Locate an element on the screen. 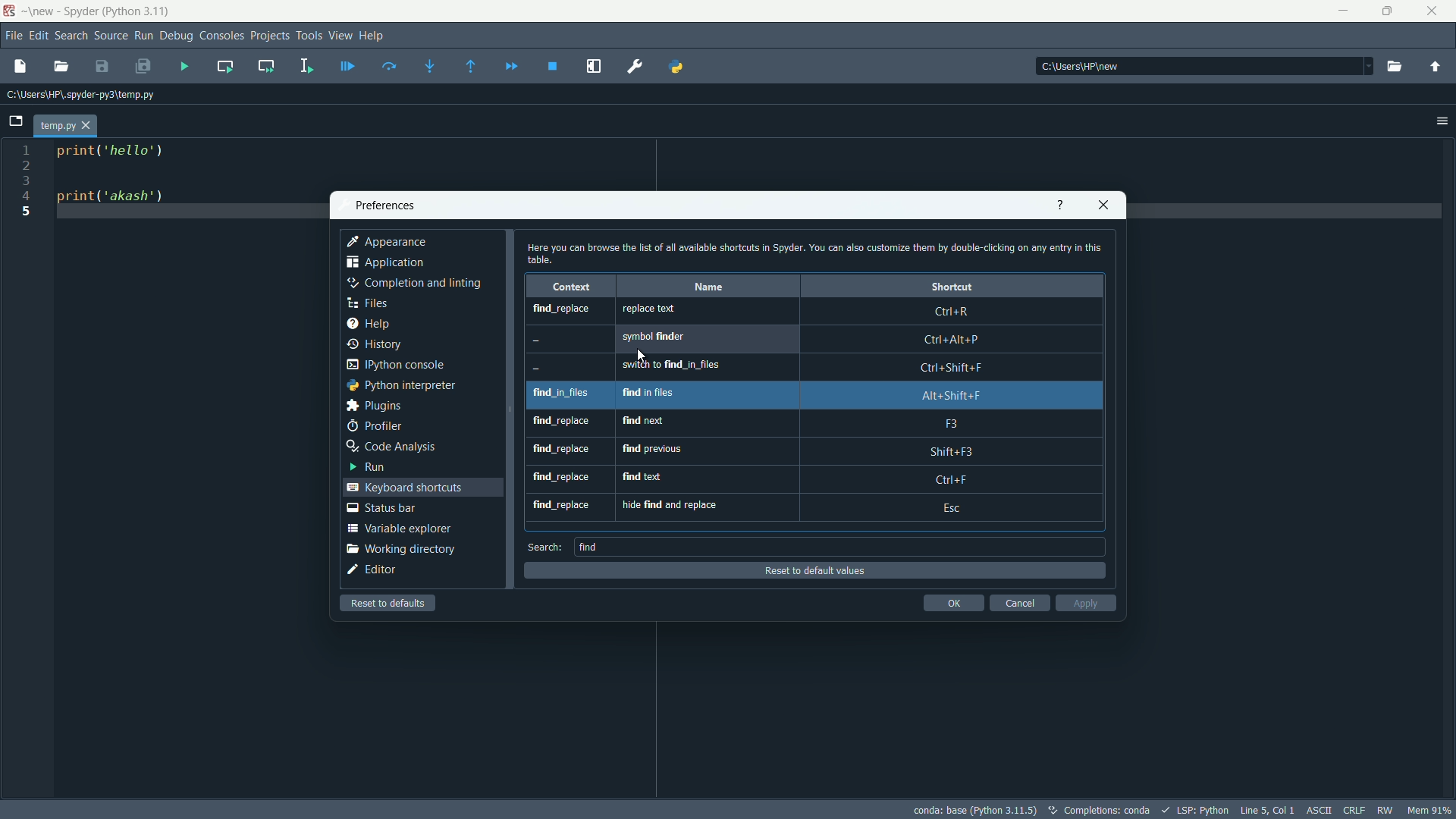 This screenshot has height=819, width=1456. cursor is located at coordinates (646, 354).